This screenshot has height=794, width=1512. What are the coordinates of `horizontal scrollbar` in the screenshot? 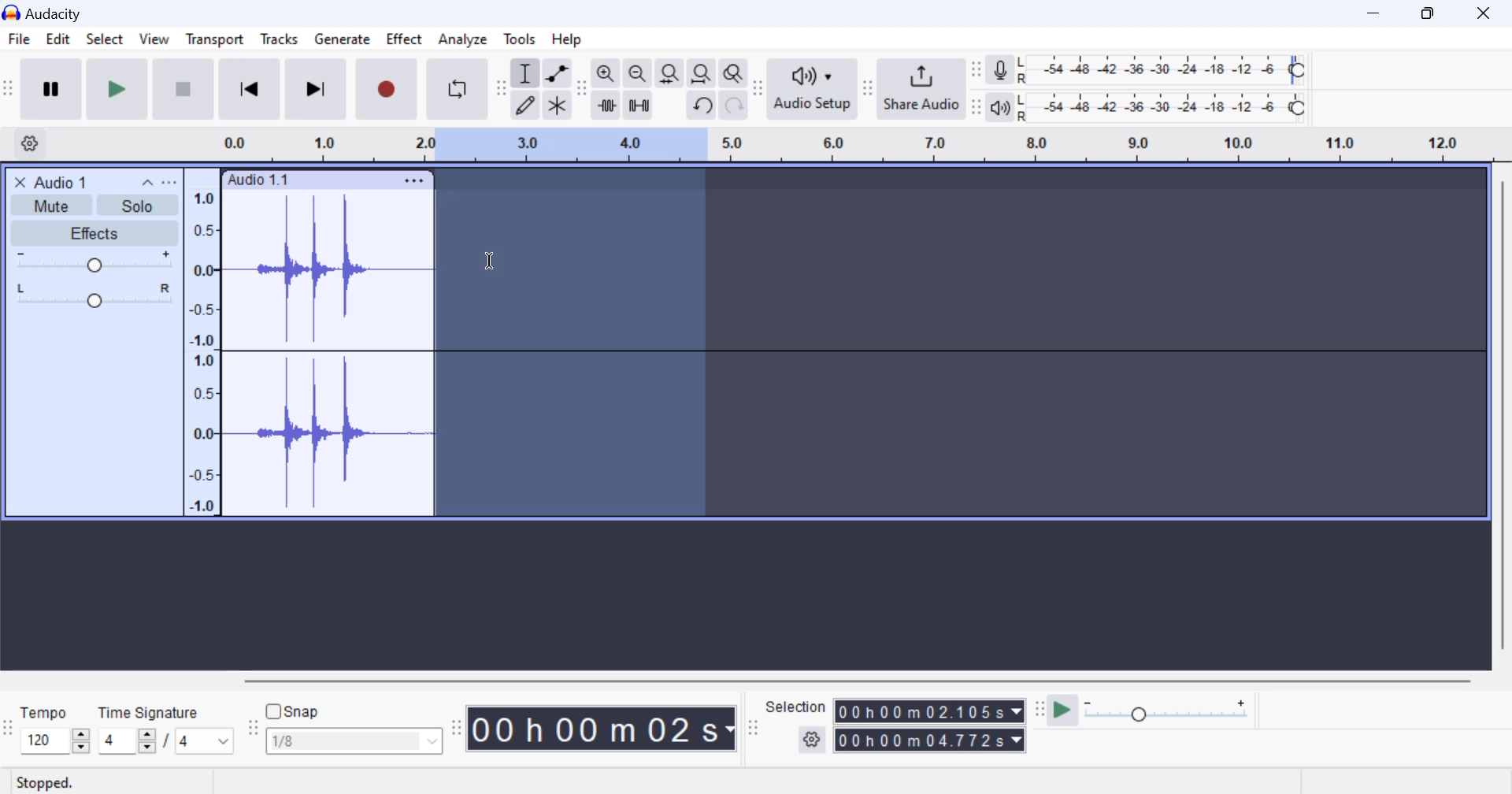 It's located at (873, 678).